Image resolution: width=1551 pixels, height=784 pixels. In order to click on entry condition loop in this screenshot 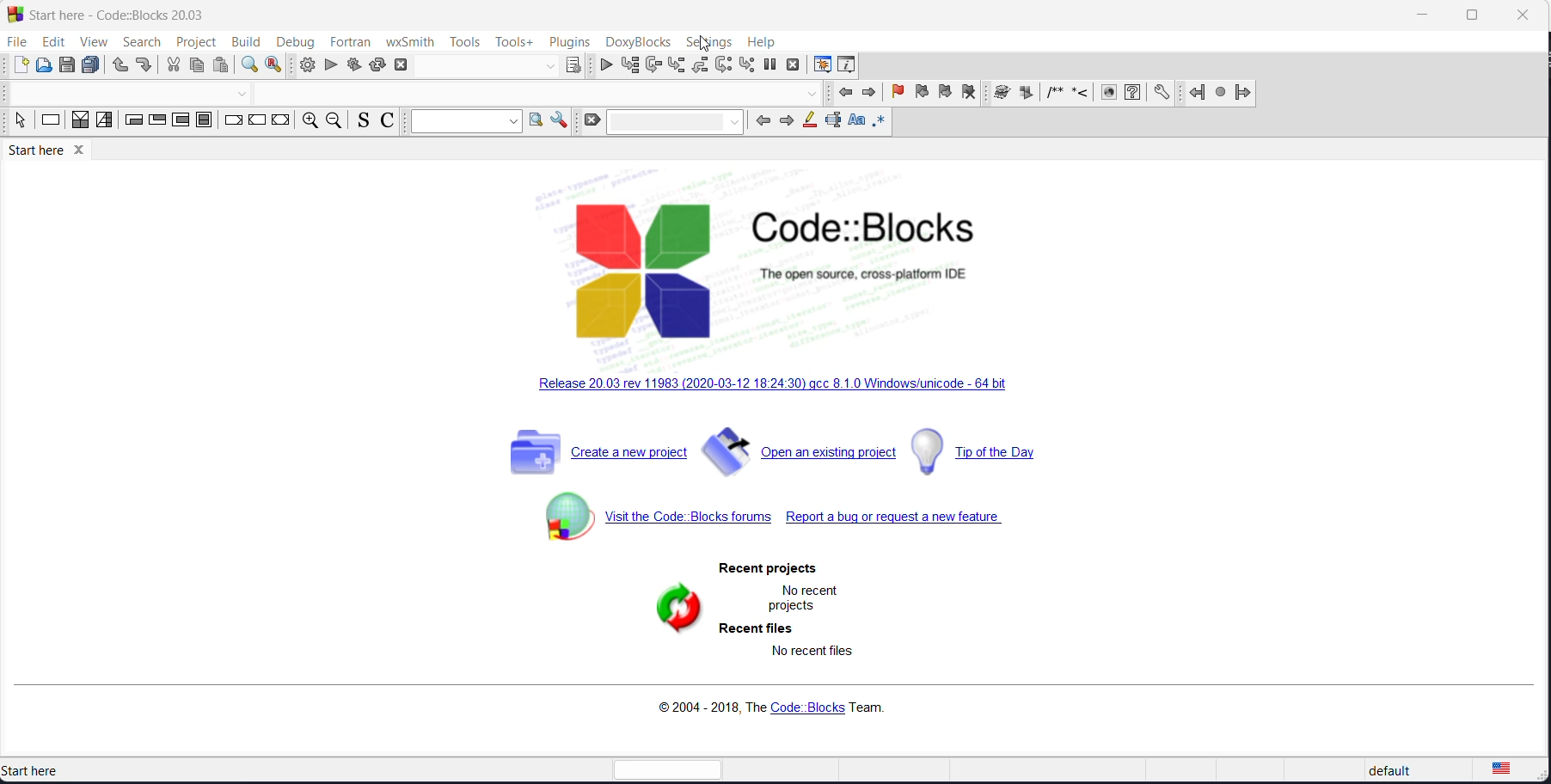, I will do `click(128, 123)`.